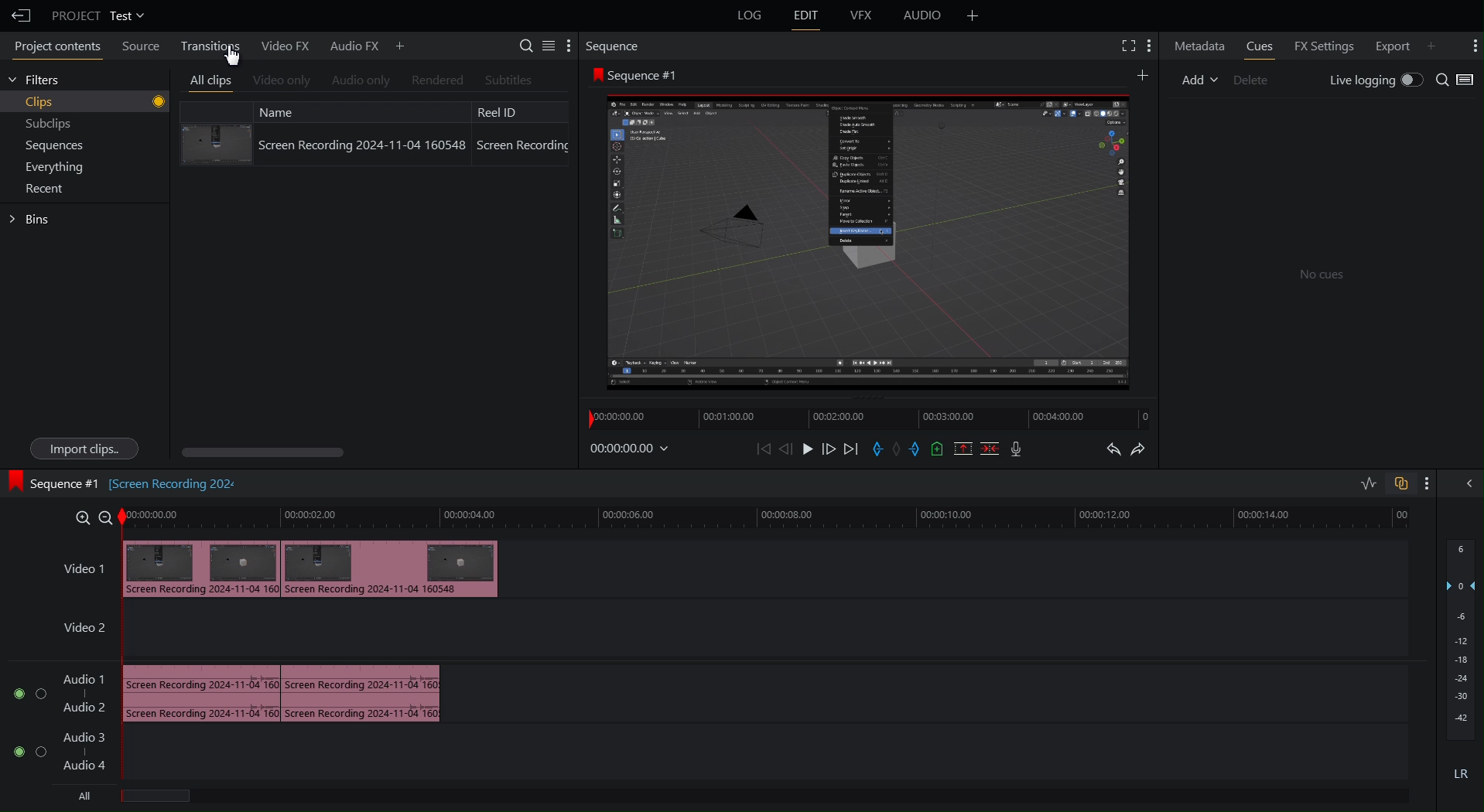 This screenshot has height=812, width=1484. I want to click on Import clips, so click(87, 448).